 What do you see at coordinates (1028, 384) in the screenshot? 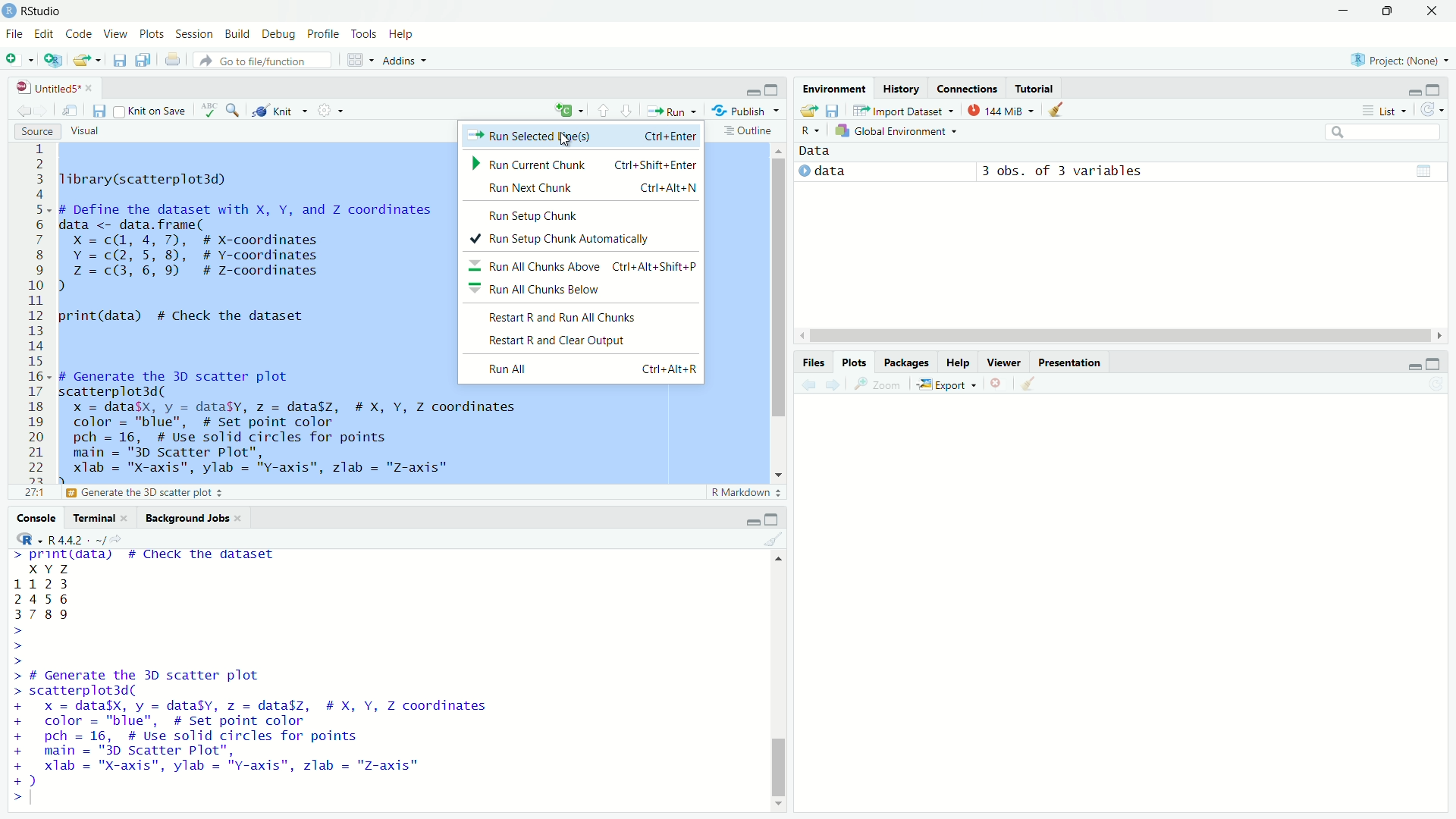
I see `clear all plots` at bounding box center [1028, 384].